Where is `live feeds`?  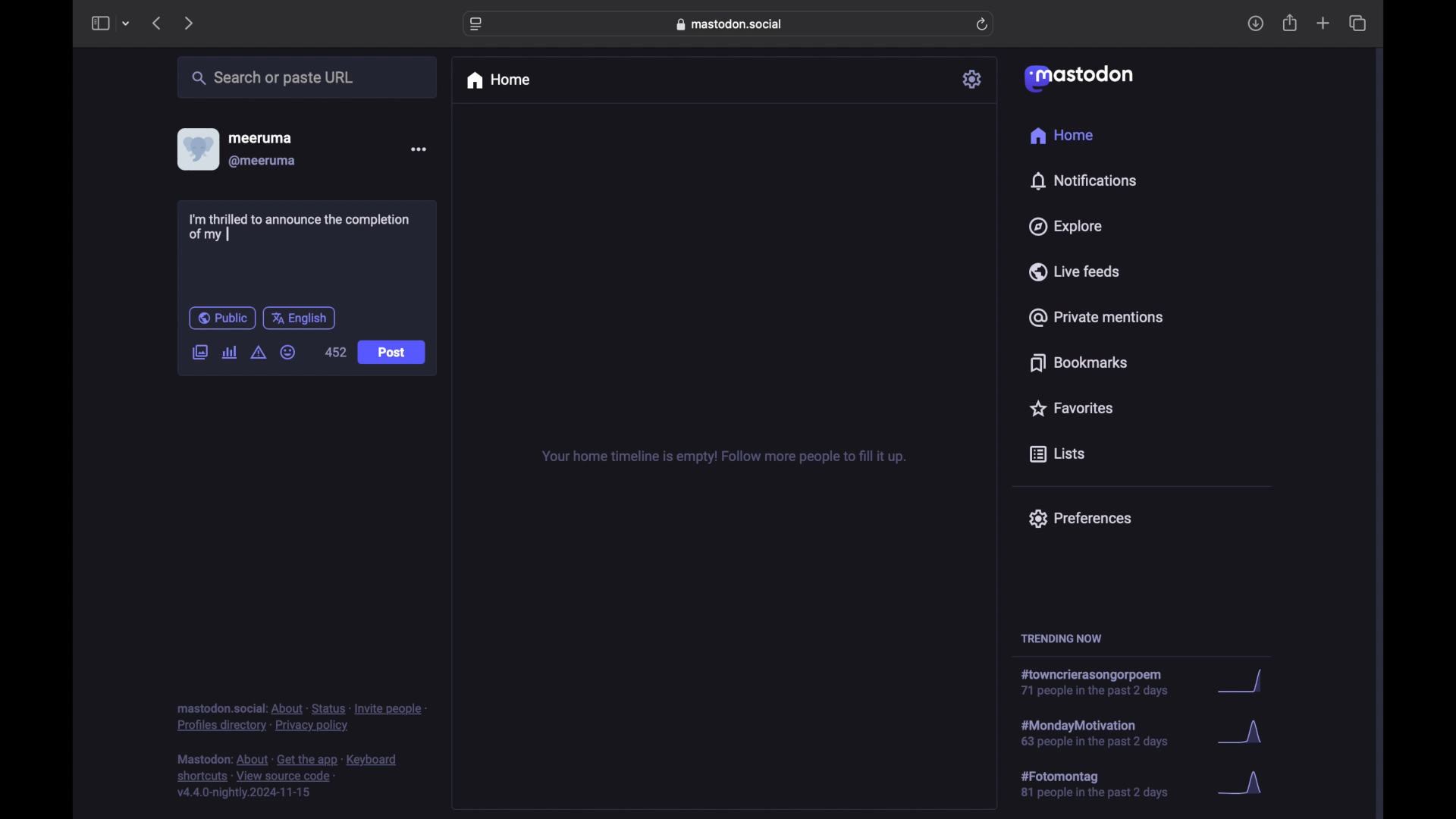
live feeds is located at coordinates (1073, 271).